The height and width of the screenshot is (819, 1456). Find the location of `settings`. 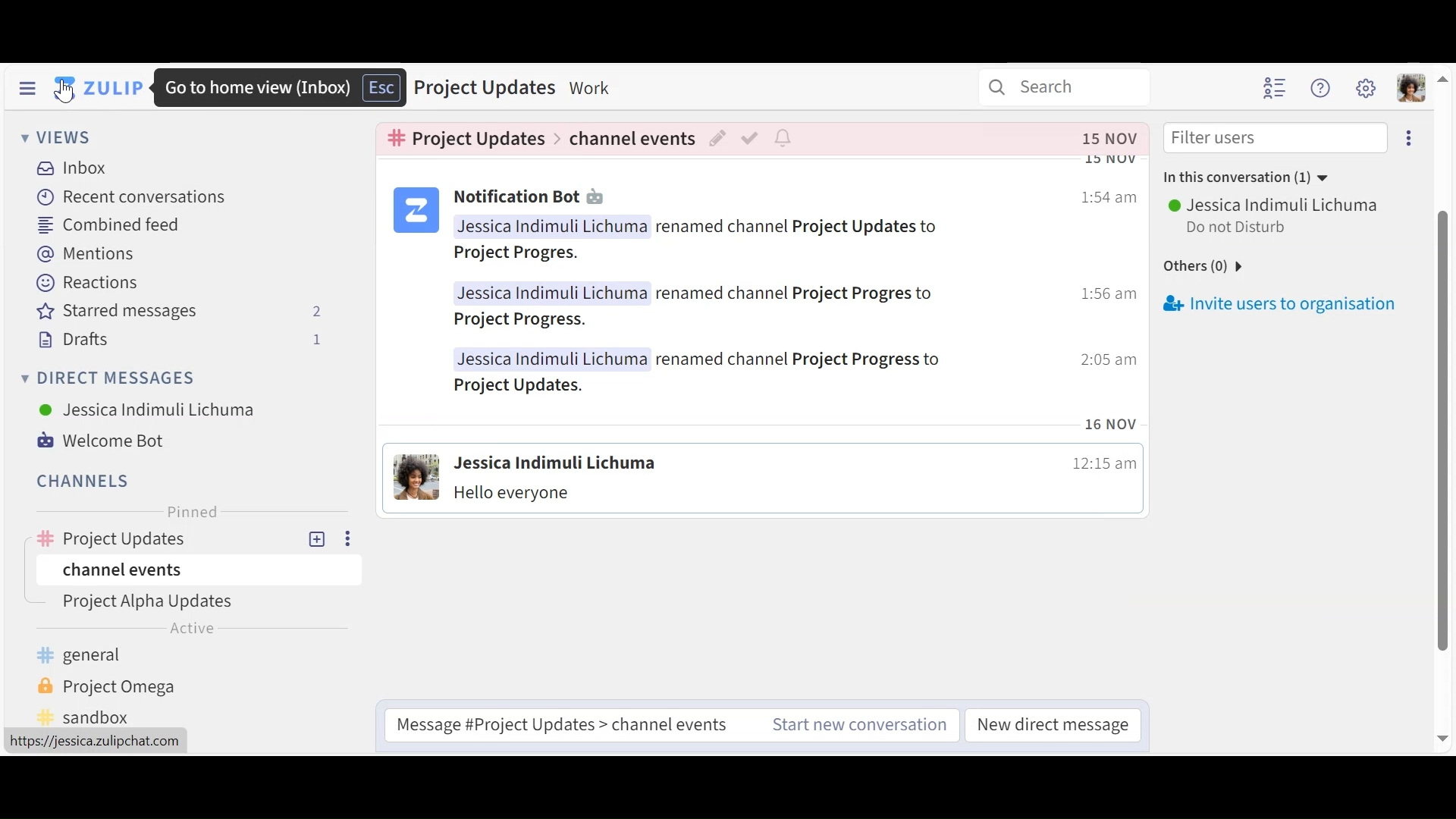

settings is located at coordinates (1367, 90).